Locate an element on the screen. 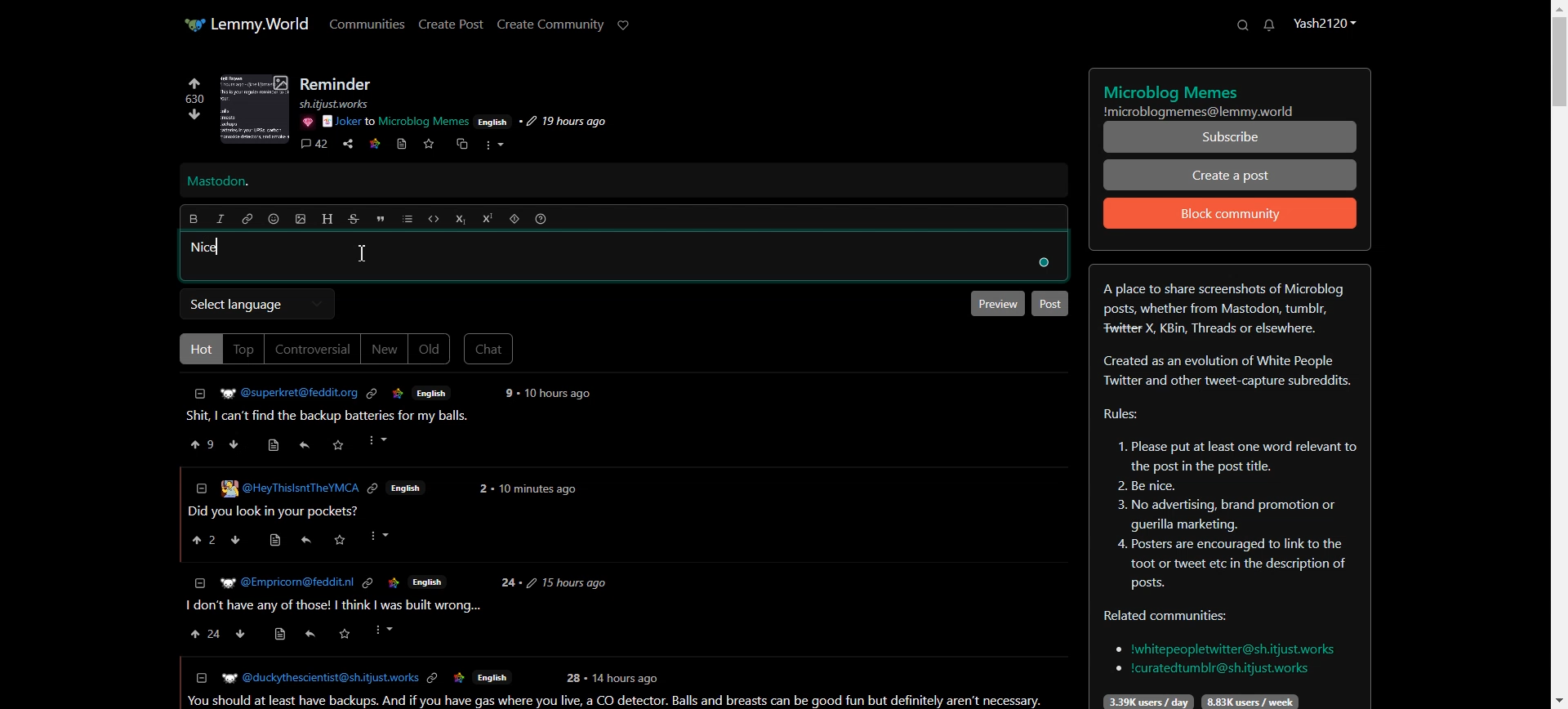  Old is located at coordinates (430, 350).